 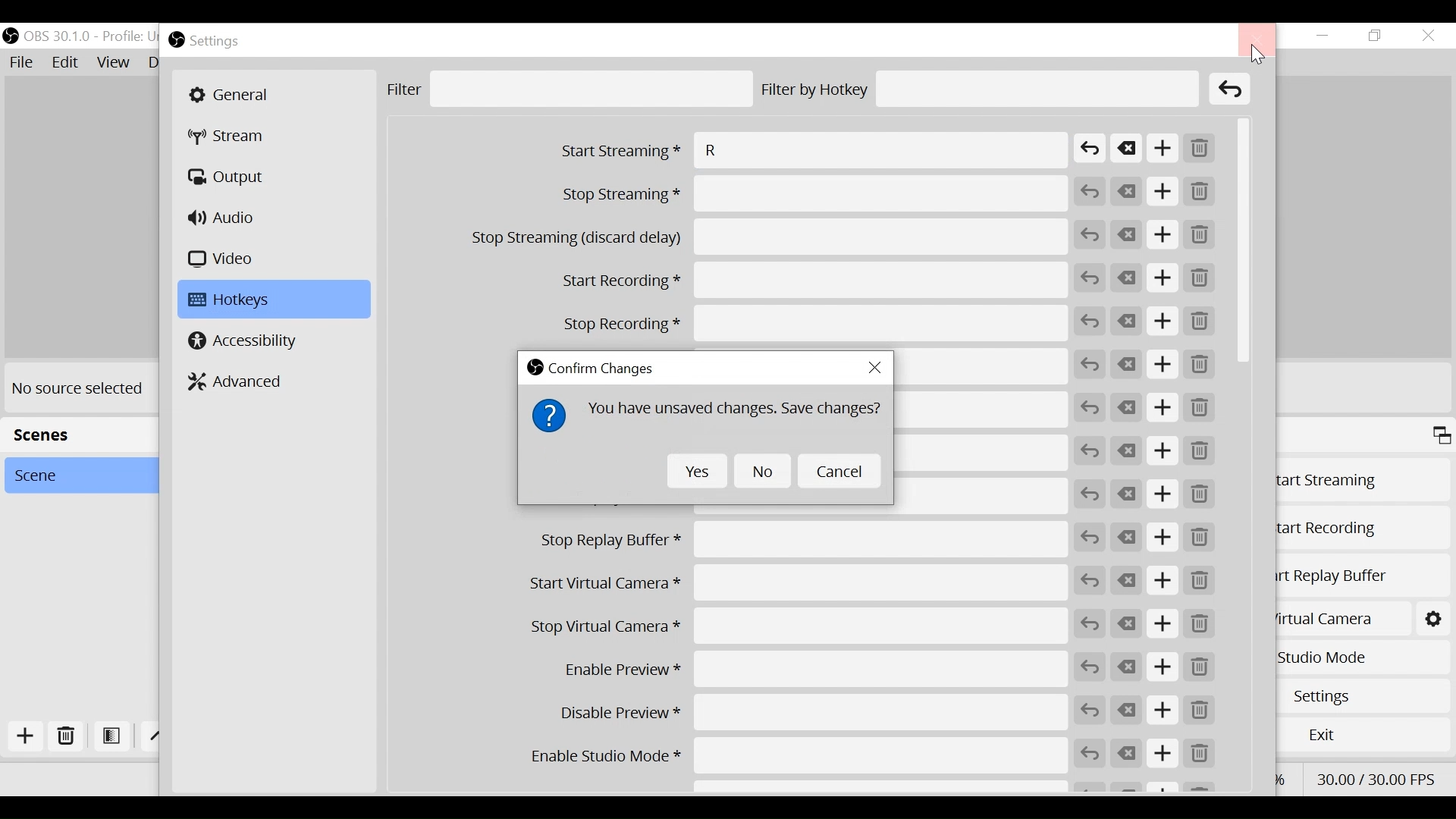 What do you see at coordinates (1128, 366) in the screenshot?
I see `Clear` at bounding box center [1128, 366].